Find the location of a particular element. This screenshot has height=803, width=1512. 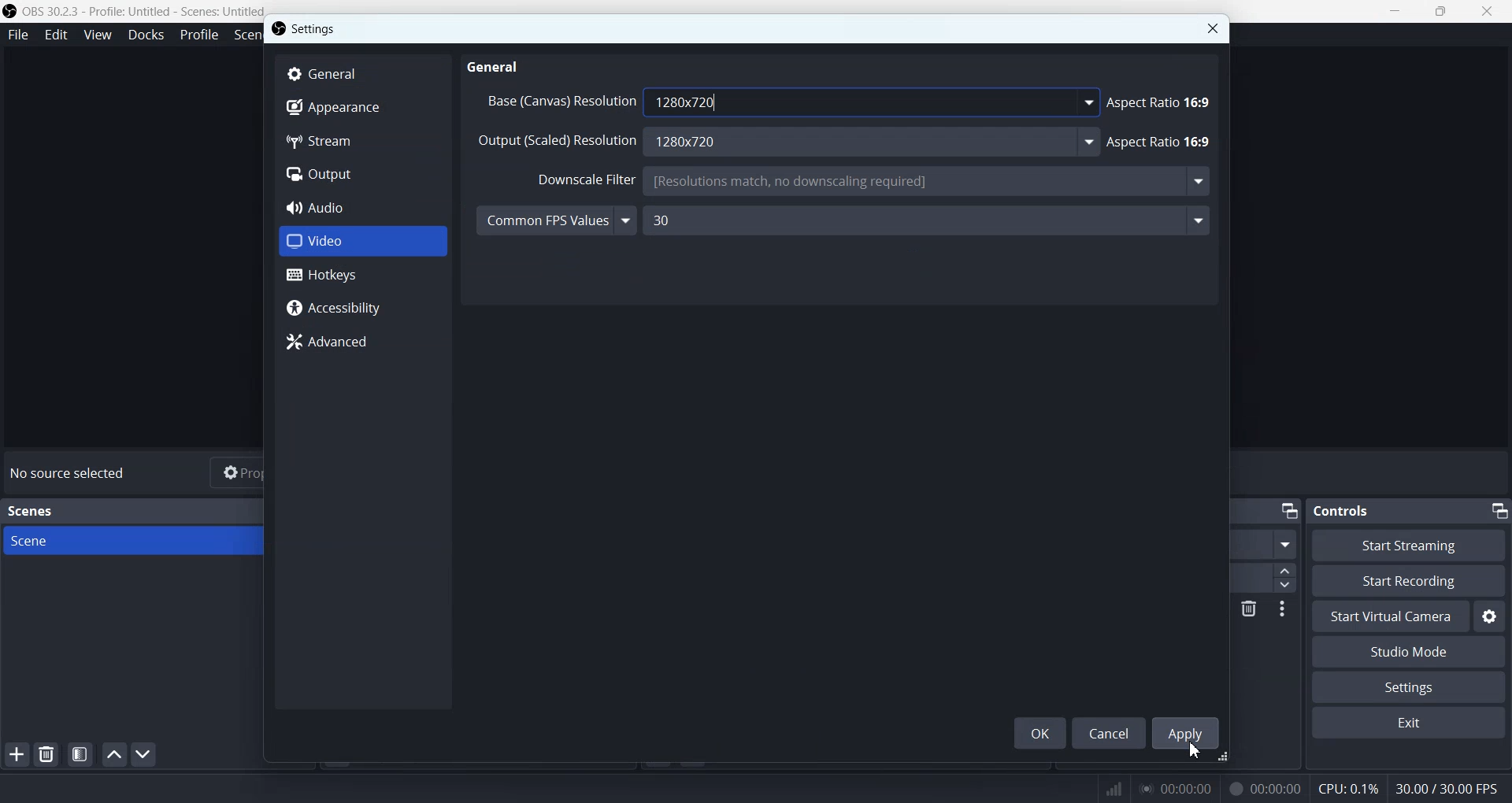

Common FPS Values 30 is located at coordinates (843, 223).